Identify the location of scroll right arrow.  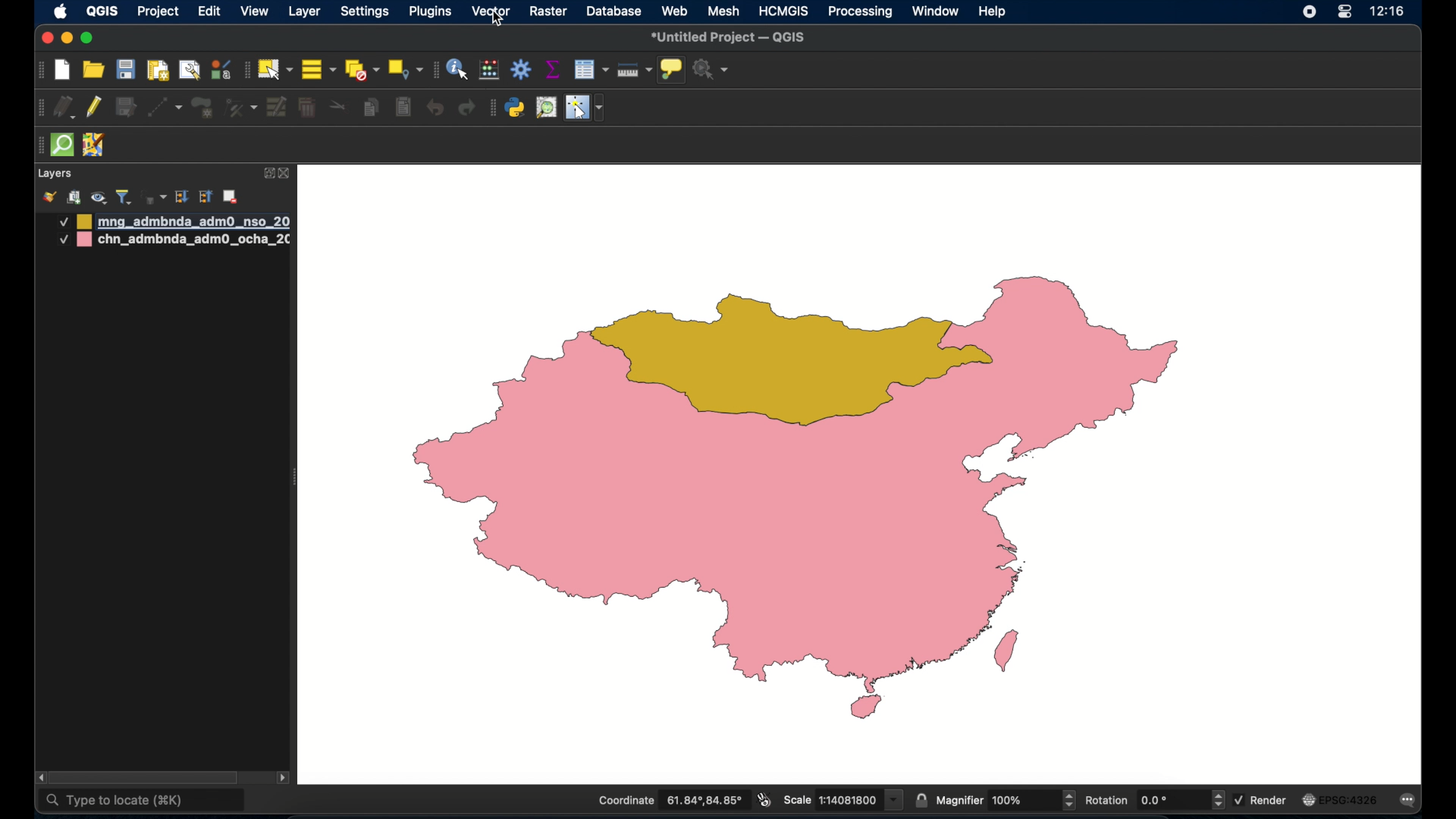
(284, 780).